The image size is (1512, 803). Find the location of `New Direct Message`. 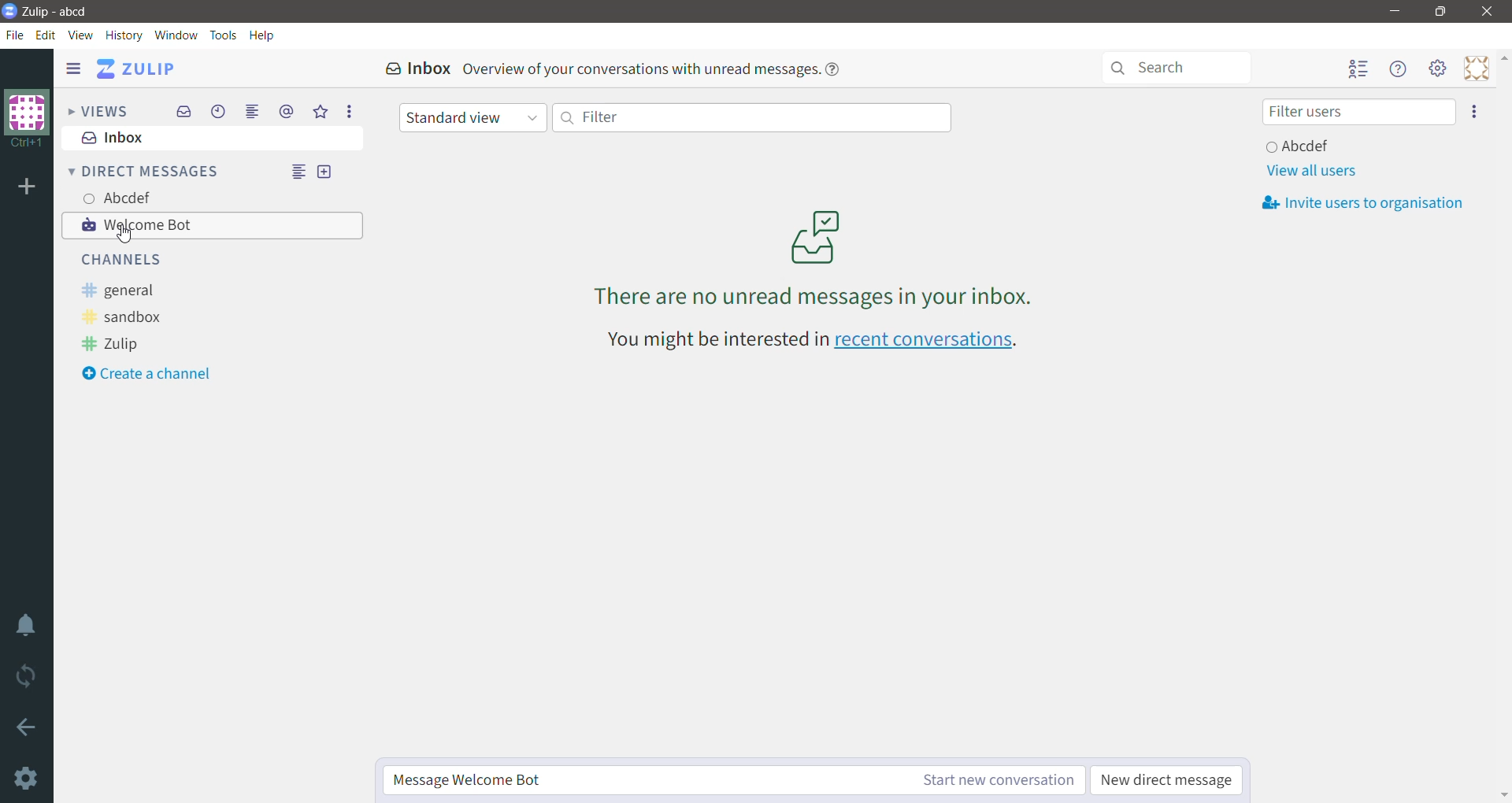

New Direct Message is located at coordinates (324, 172).